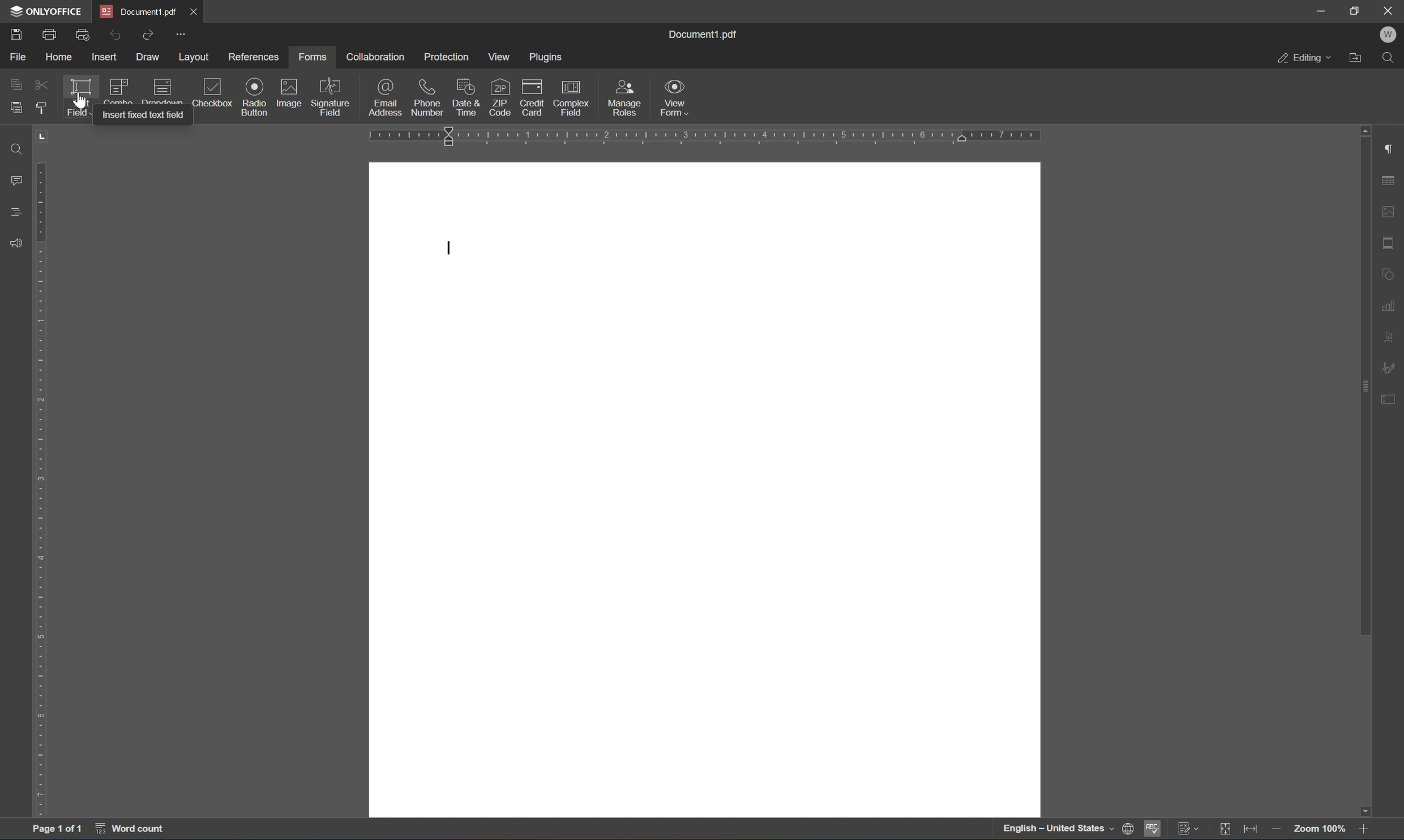  I want to click on scroll down, so click(1368, 808).